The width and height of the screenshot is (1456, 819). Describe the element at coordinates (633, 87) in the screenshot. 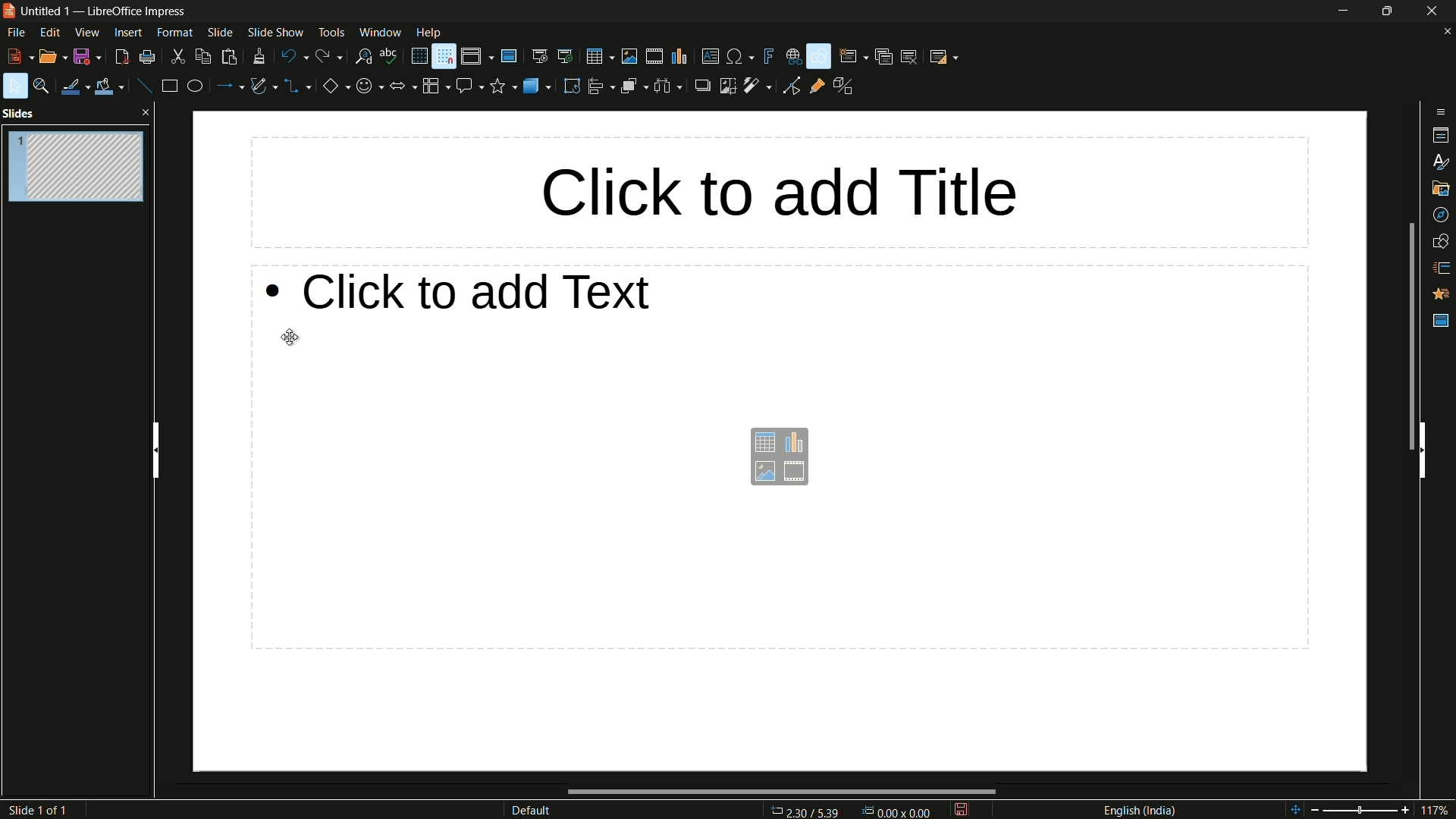

I see `arrange` at that location.